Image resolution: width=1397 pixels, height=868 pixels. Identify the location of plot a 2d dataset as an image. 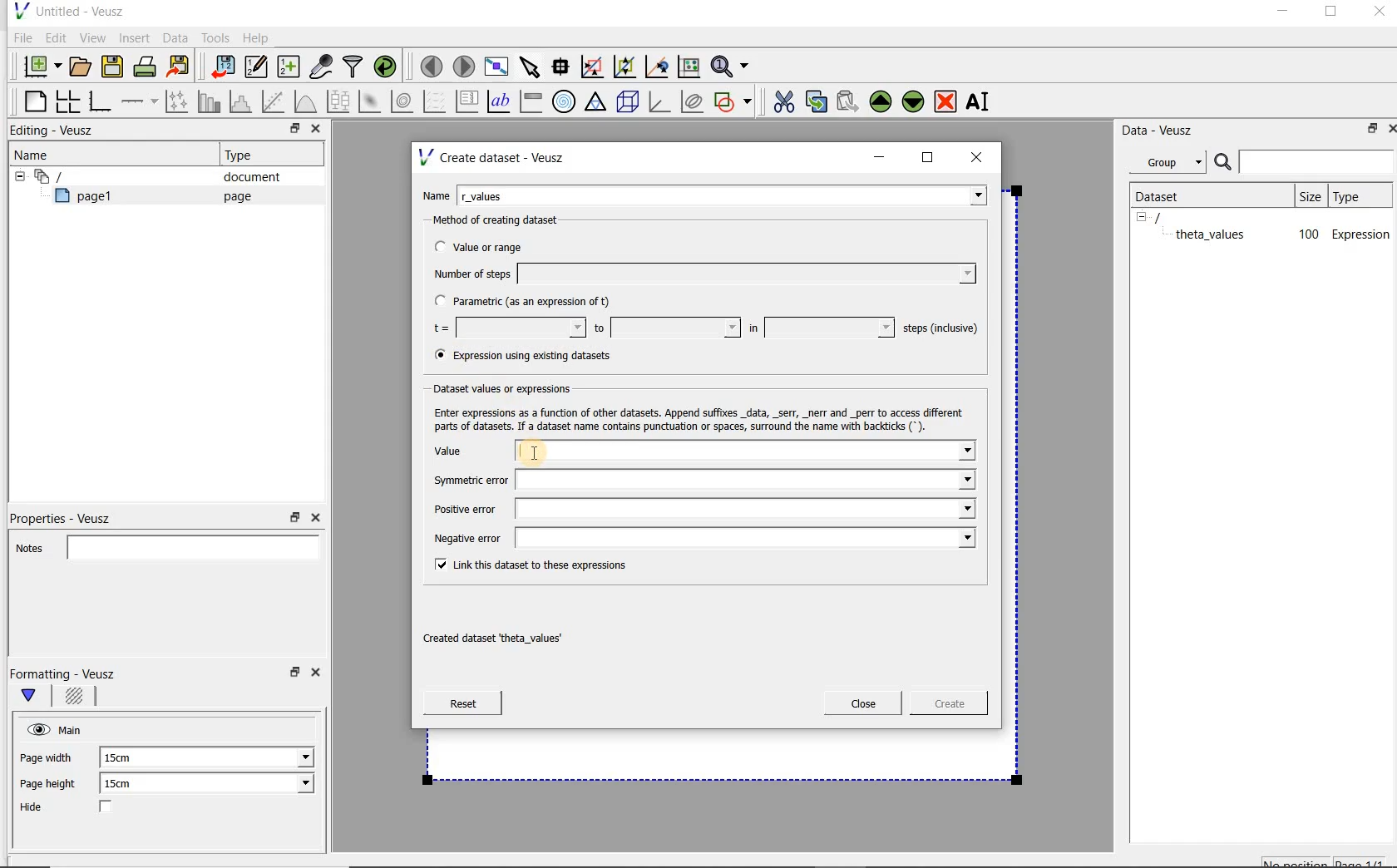
(372, 102).